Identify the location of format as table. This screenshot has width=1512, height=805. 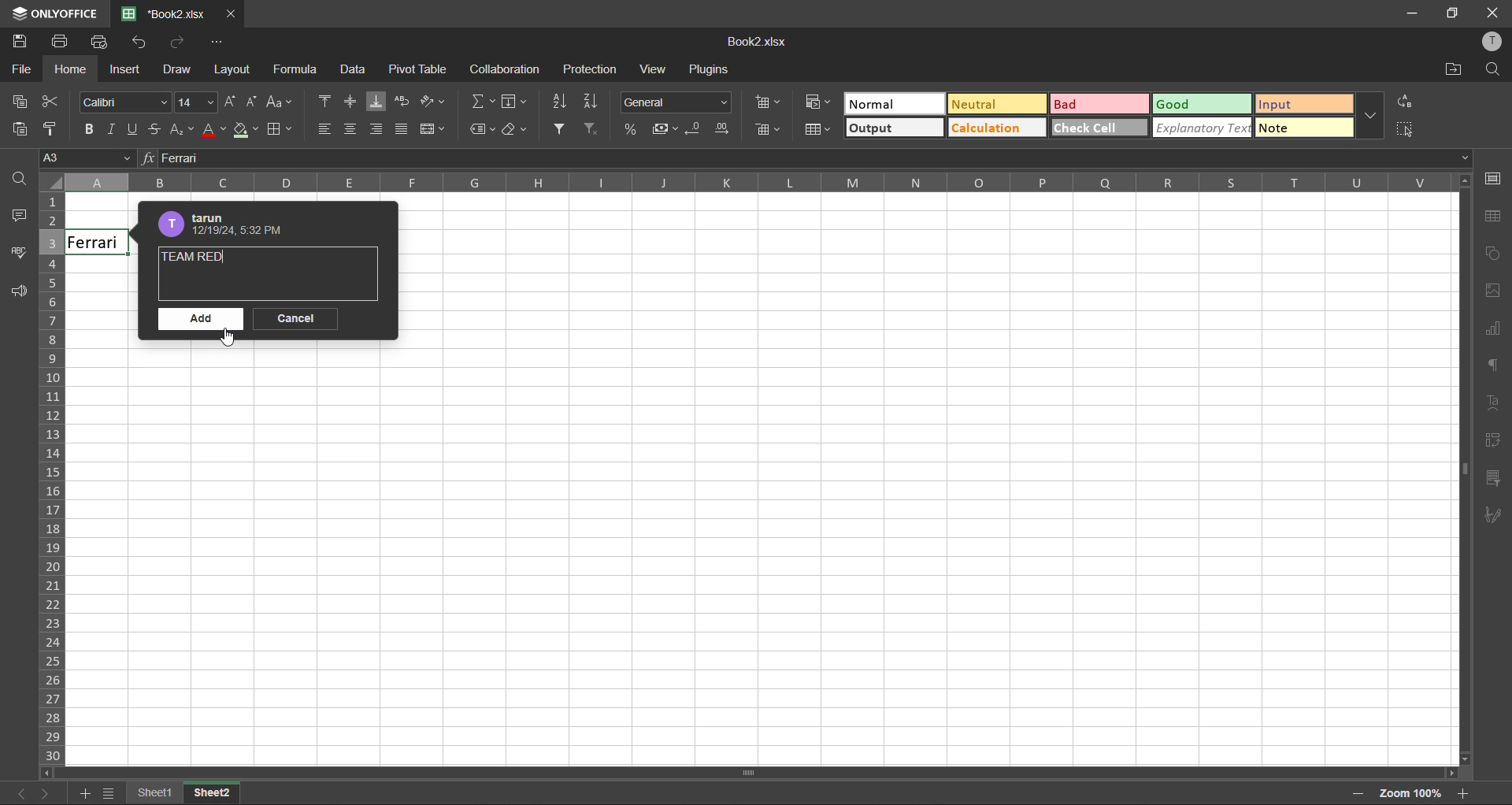
(817, 129).